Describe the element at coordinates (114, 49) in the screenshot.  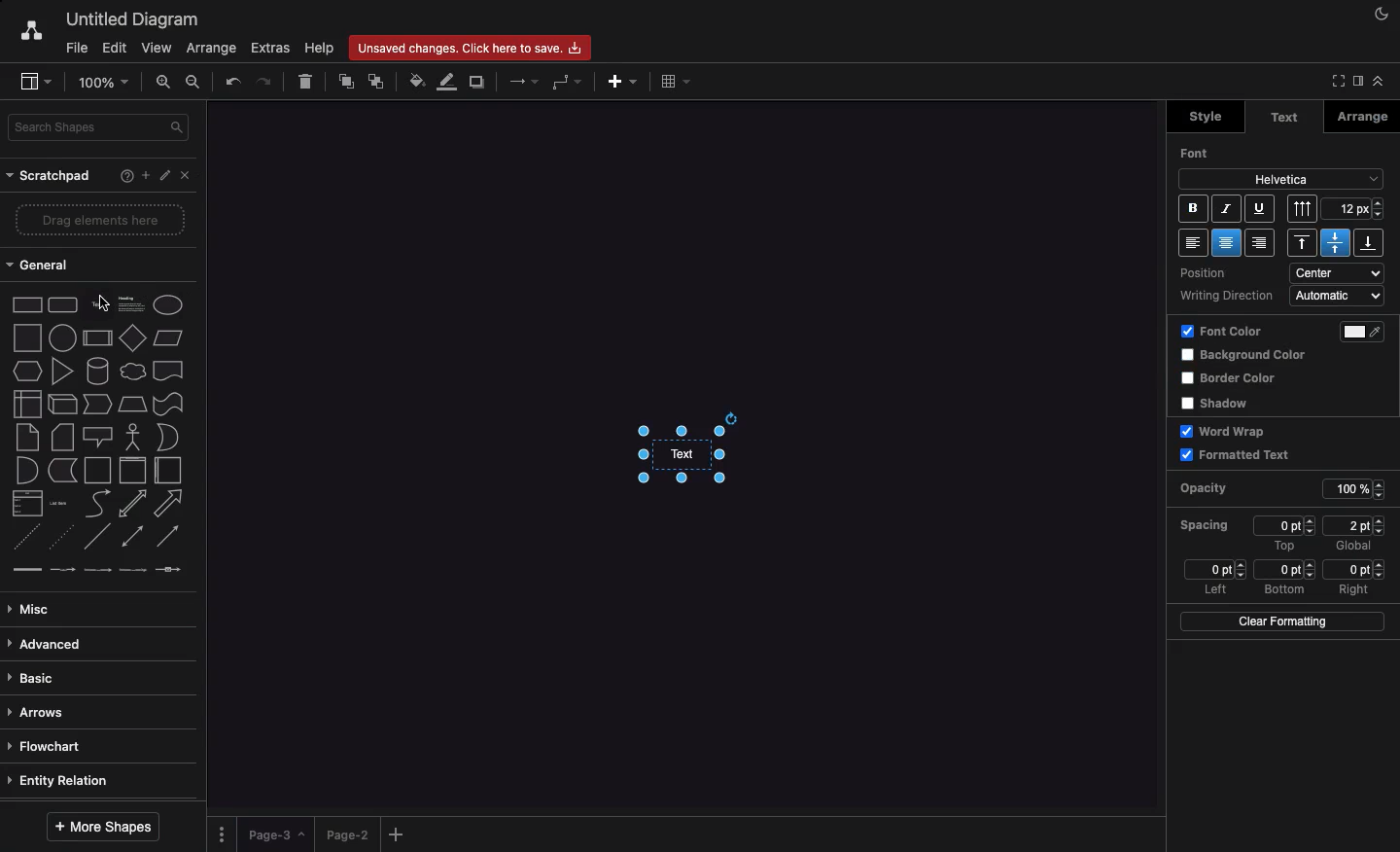
I see `Edit` at that location.